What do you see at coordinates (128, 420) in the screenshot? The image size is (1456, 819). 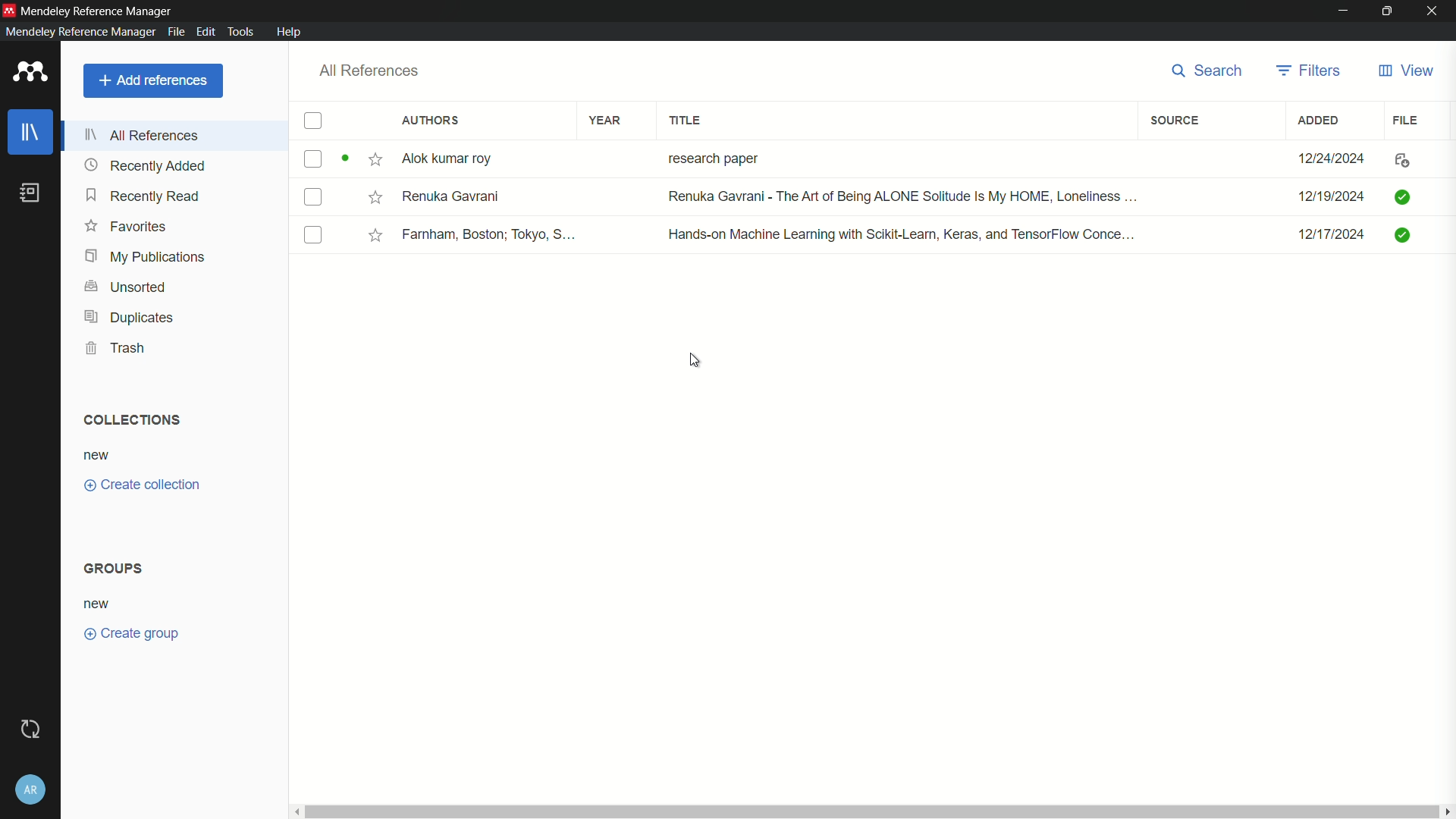 I see `collections` at bounding box center [128, 420].